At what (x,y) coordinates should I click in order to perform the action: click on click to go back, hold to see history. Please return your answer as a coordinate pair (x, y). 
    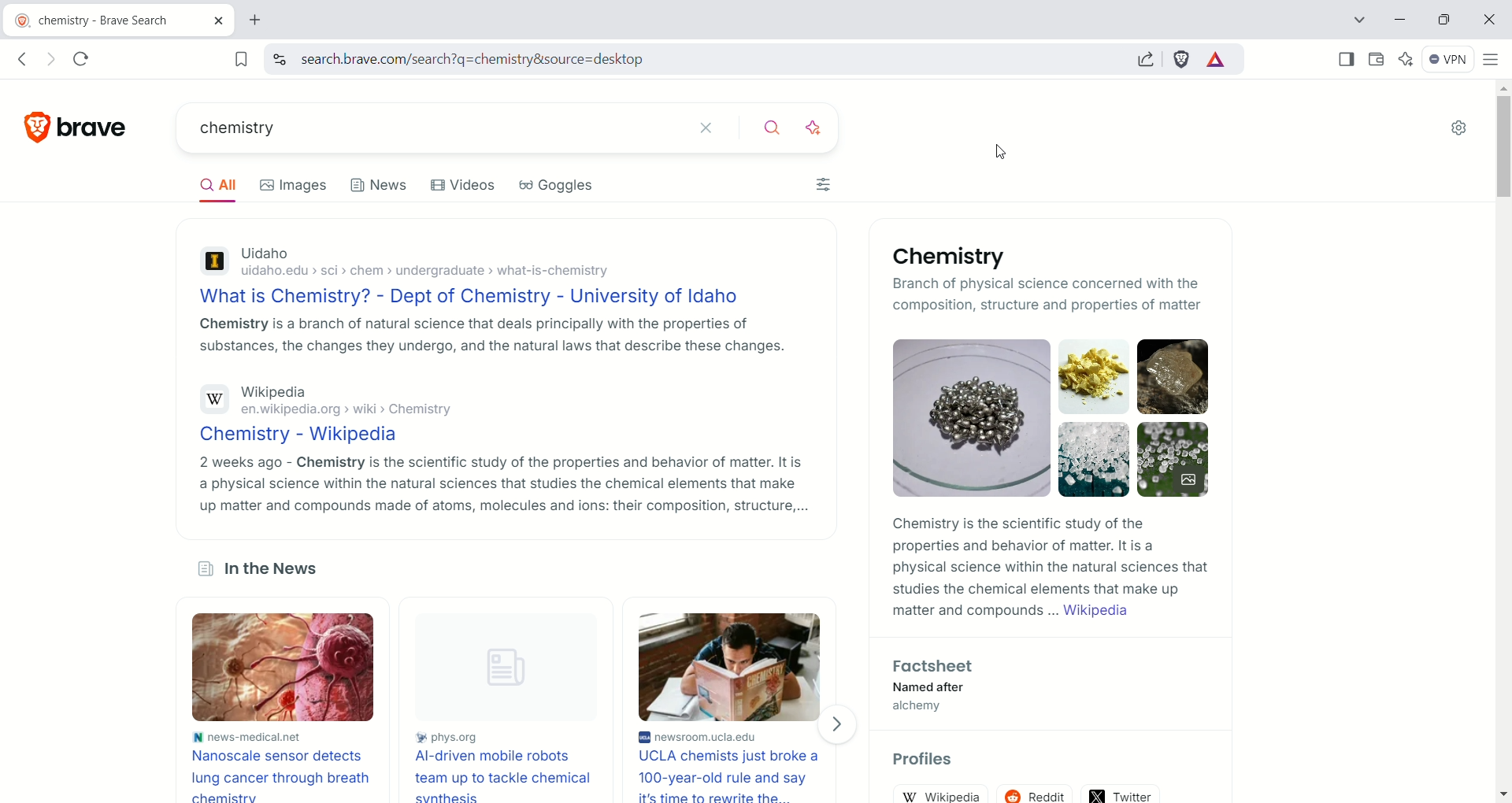
    Looking at the image, I should click on (27, 58).